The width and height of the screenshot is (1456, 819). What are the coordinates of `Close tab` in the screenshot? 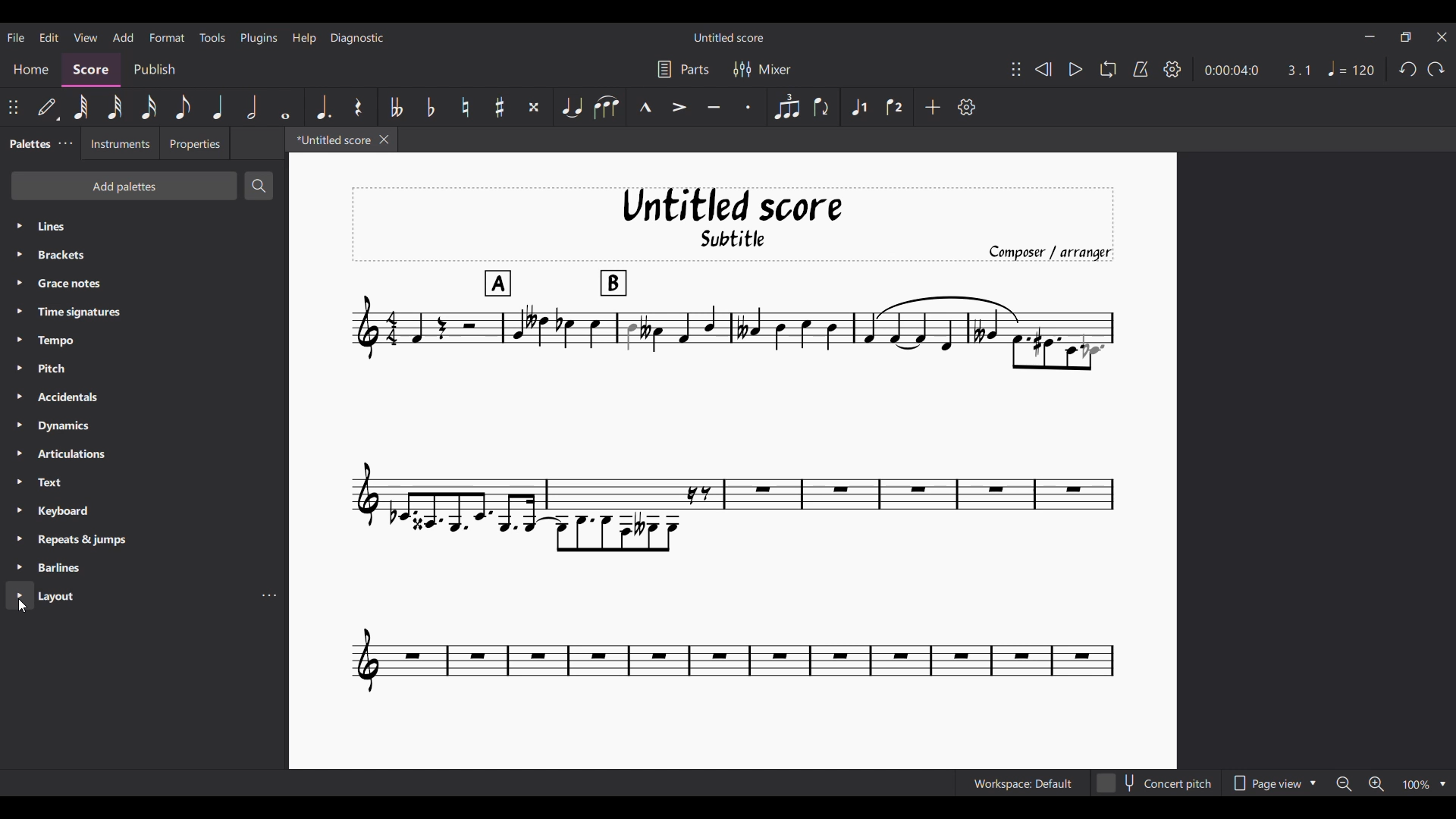 It's located at (384, 140).